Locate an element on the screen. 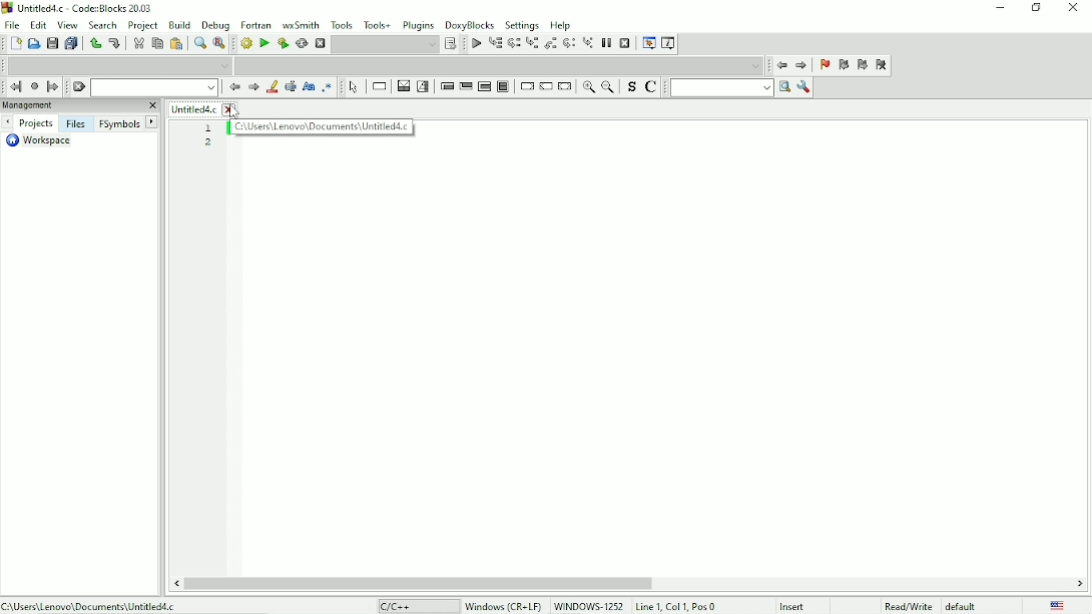 This screenshot has width=1092, height=614. Open is located at coordinates (34, 43).